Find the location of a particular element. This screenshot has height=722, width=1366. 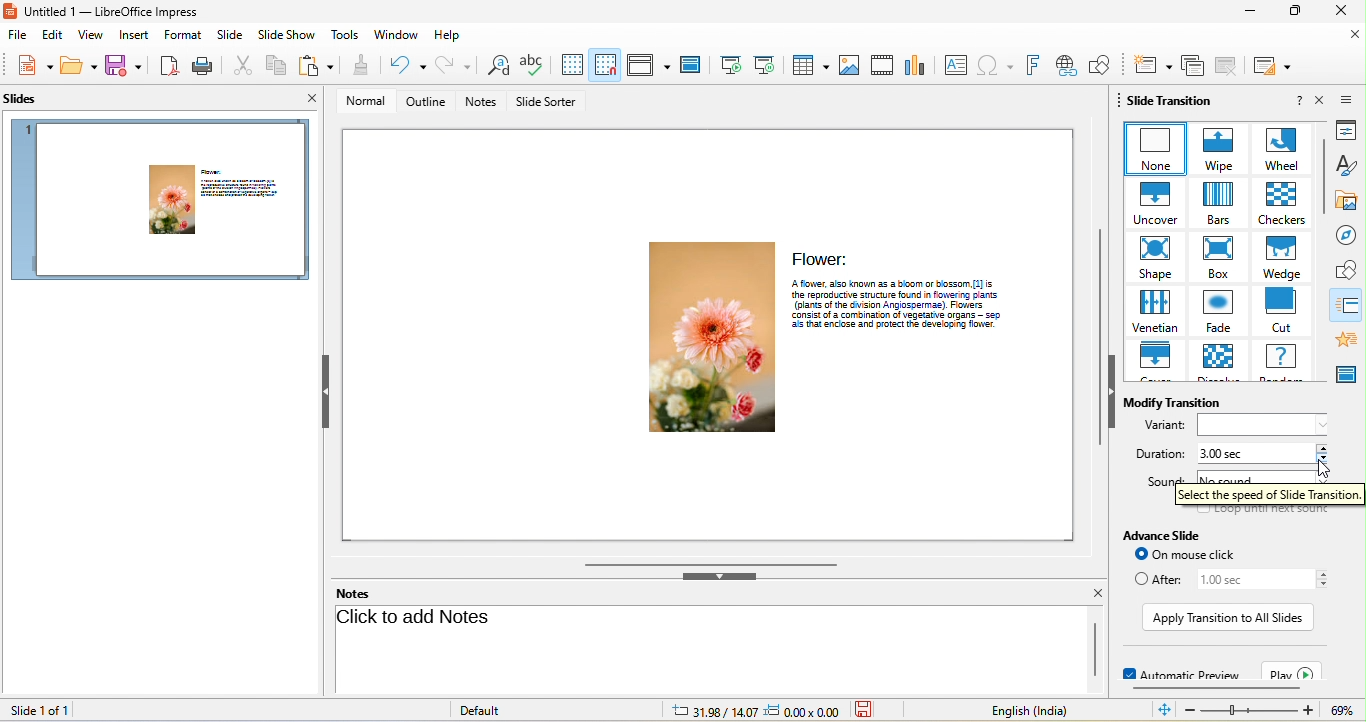

play is located at coordinates (1293, 672).